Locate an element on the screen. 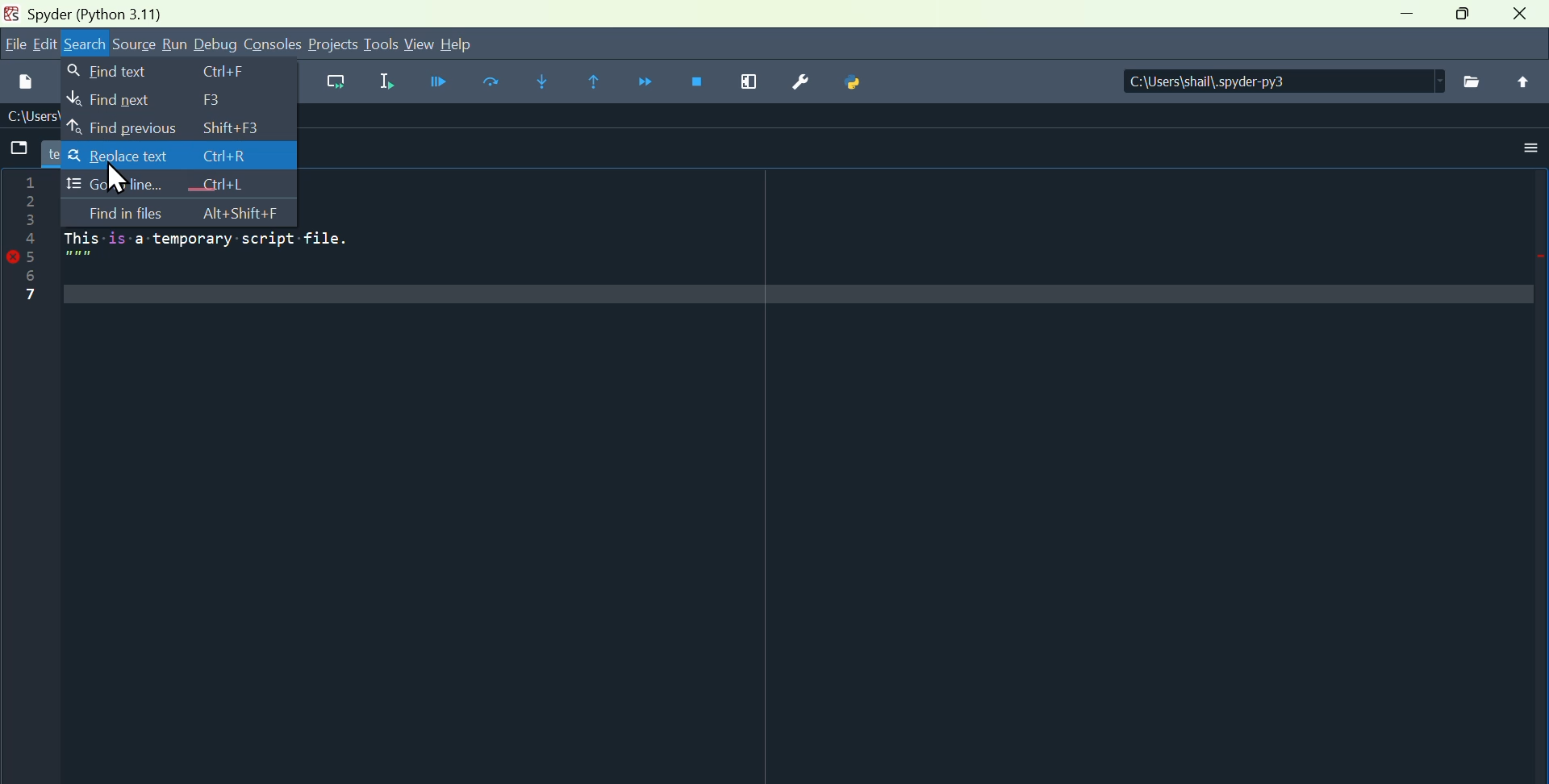 The image size is (1549, 784). Stop debugging is located at coordinates (697, 85).